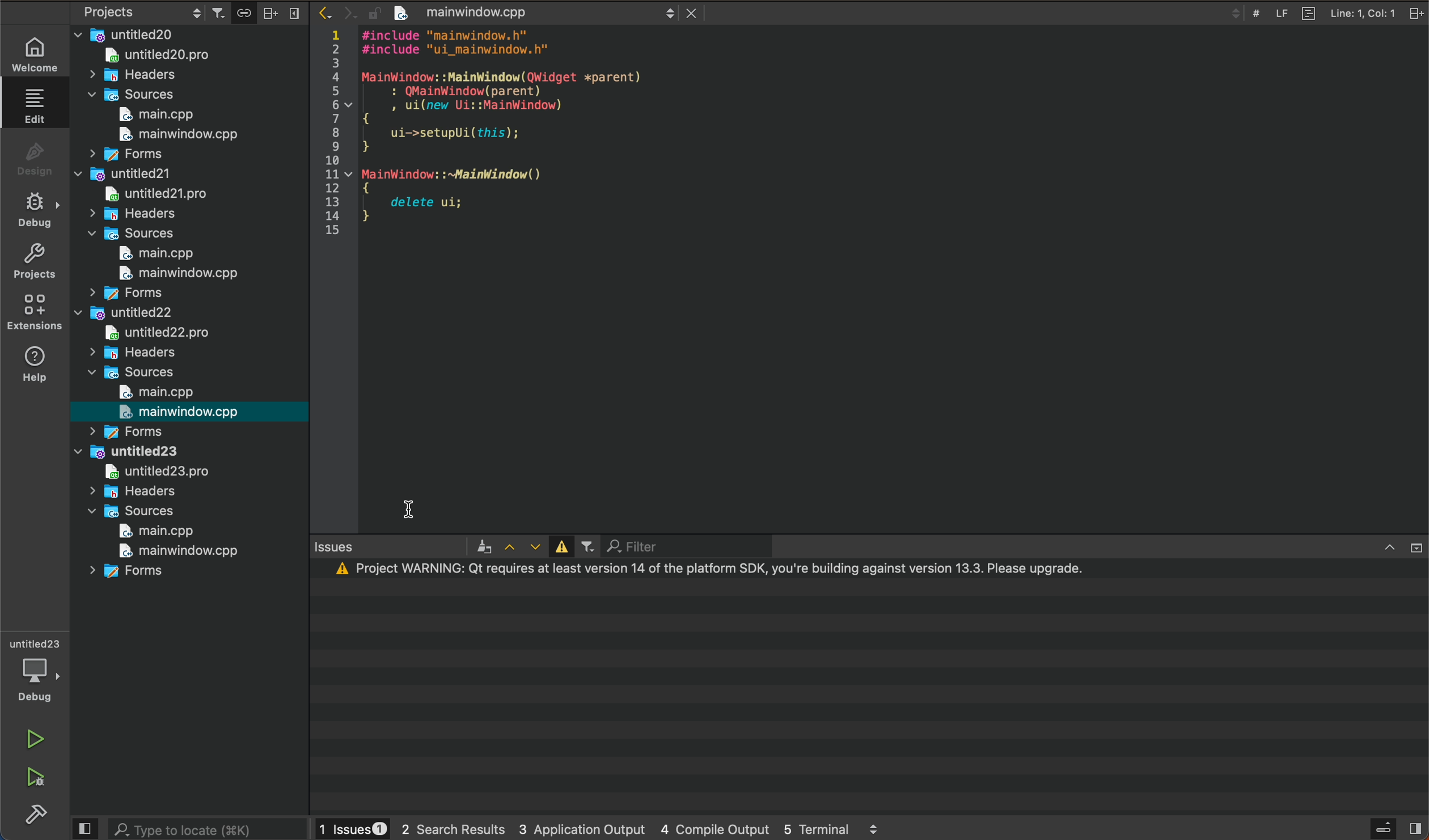 The height and width of the screenshot is (840, 1429). I want to click on next, so click(347, 9).